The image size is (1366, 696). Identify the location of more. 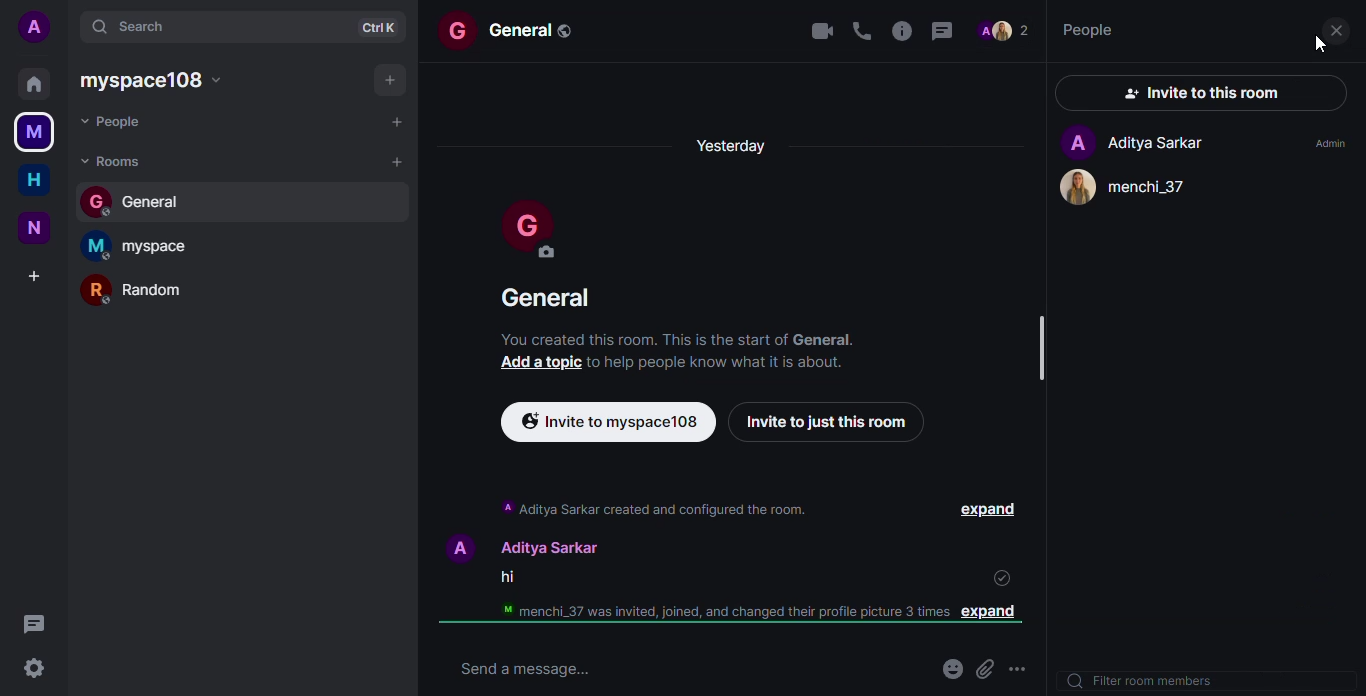
(1028, 664).